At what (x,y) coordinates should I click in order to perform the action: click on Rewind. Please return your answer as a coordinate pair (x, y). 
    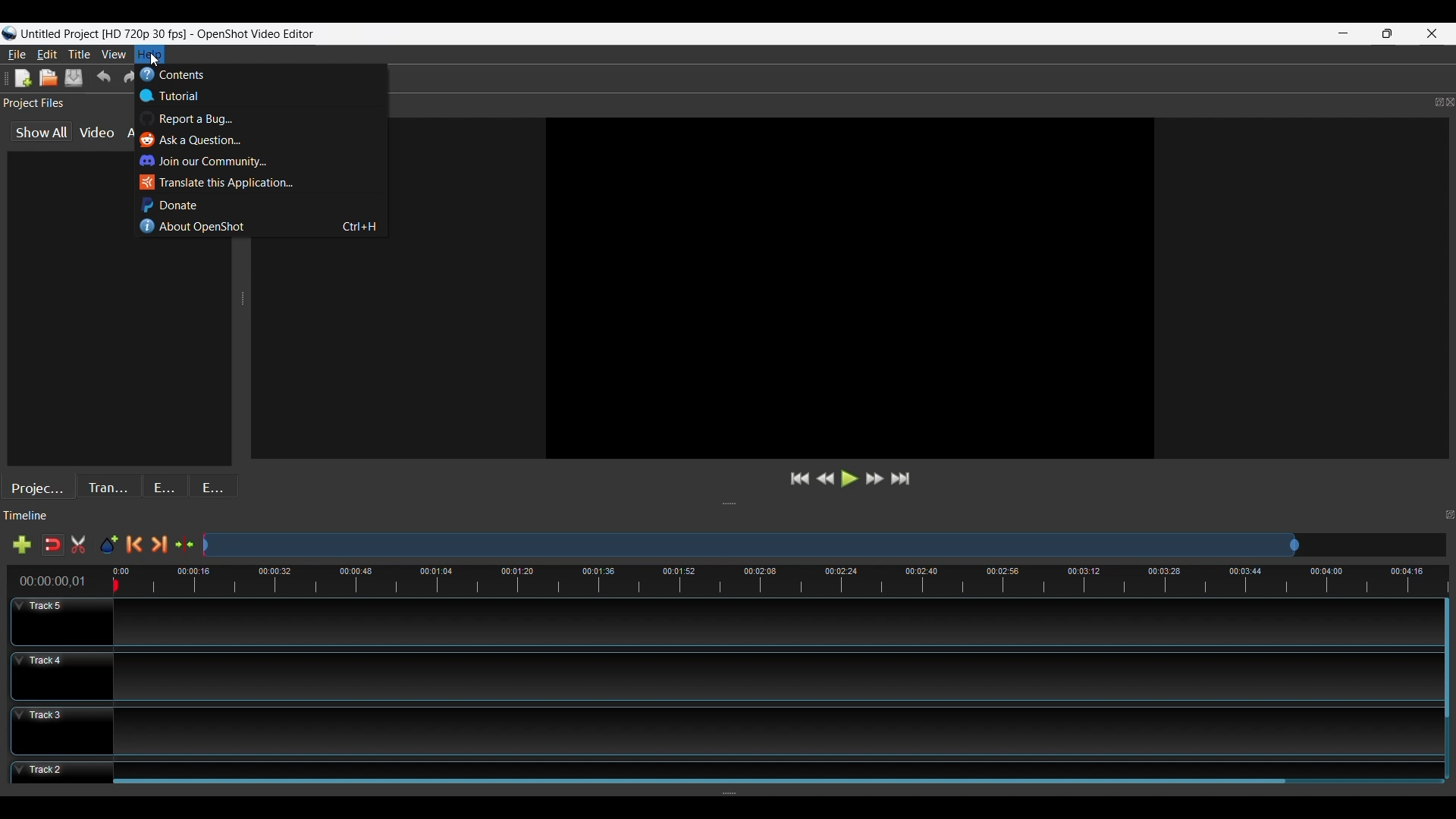
    Looking at the image, I should click on (825, 479).